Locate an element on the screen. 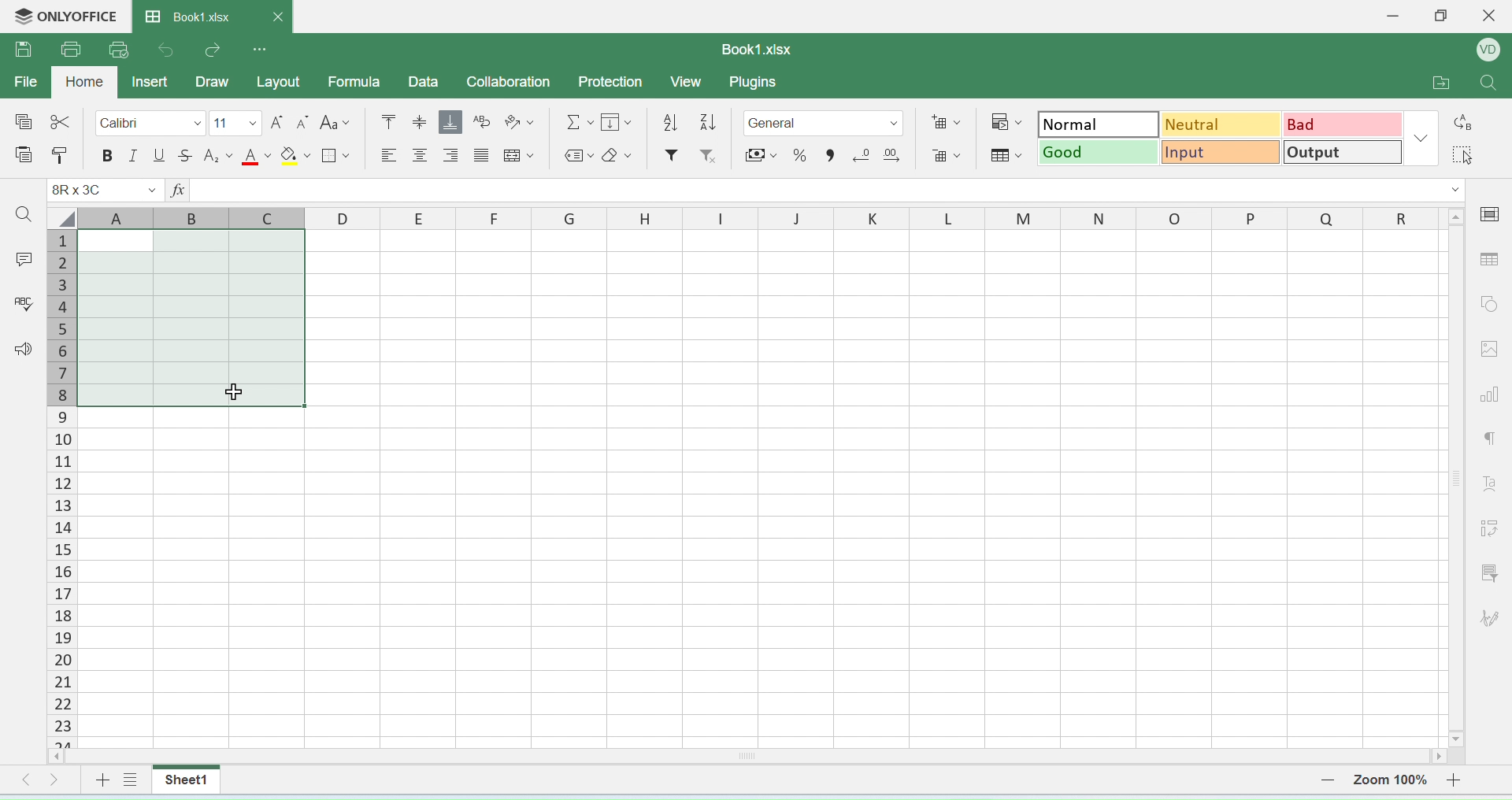  underline is located at coordinates (158, 156).